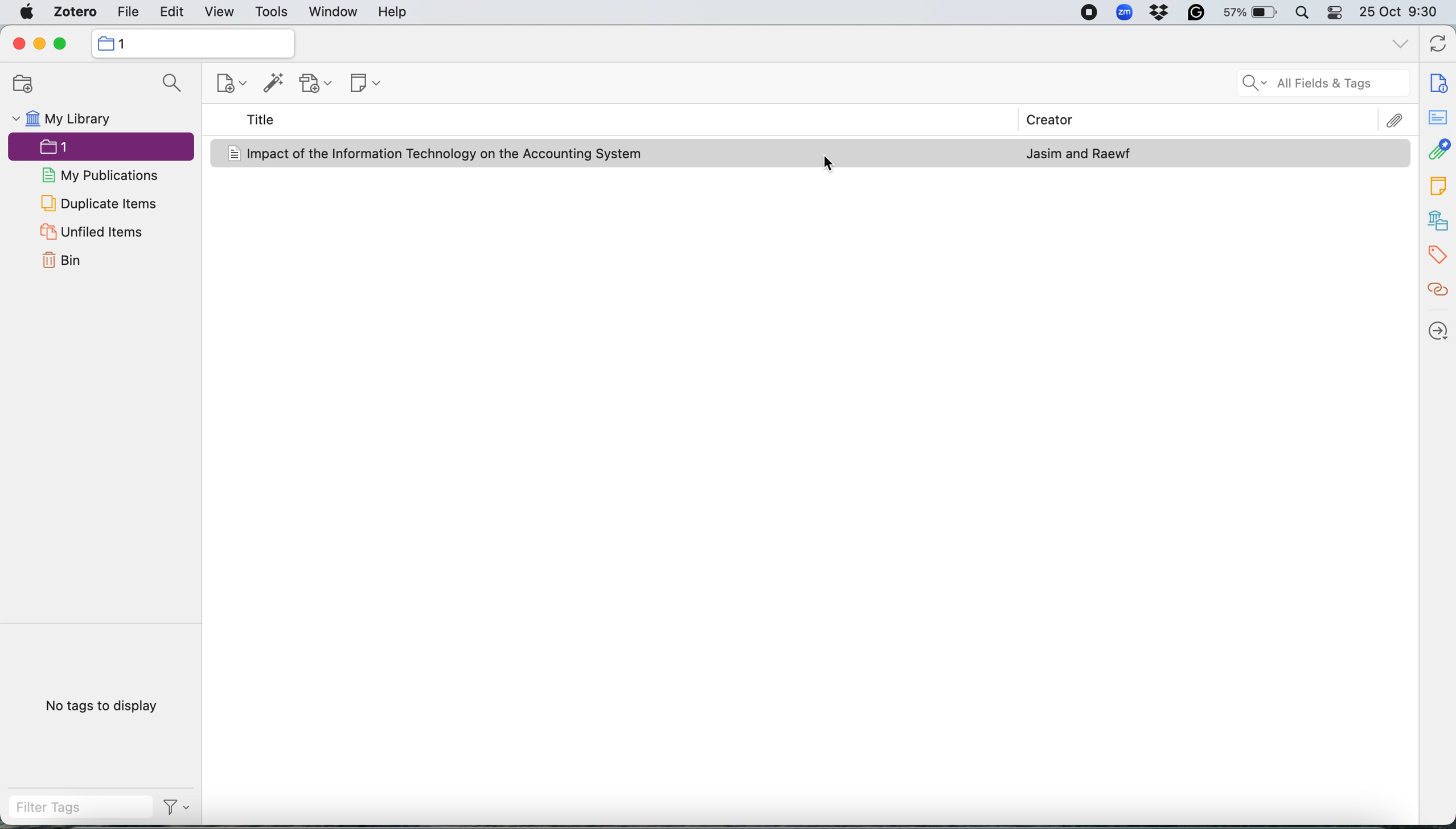 The image size is (1456, 829). I want to click on new note, so click(363, 85).